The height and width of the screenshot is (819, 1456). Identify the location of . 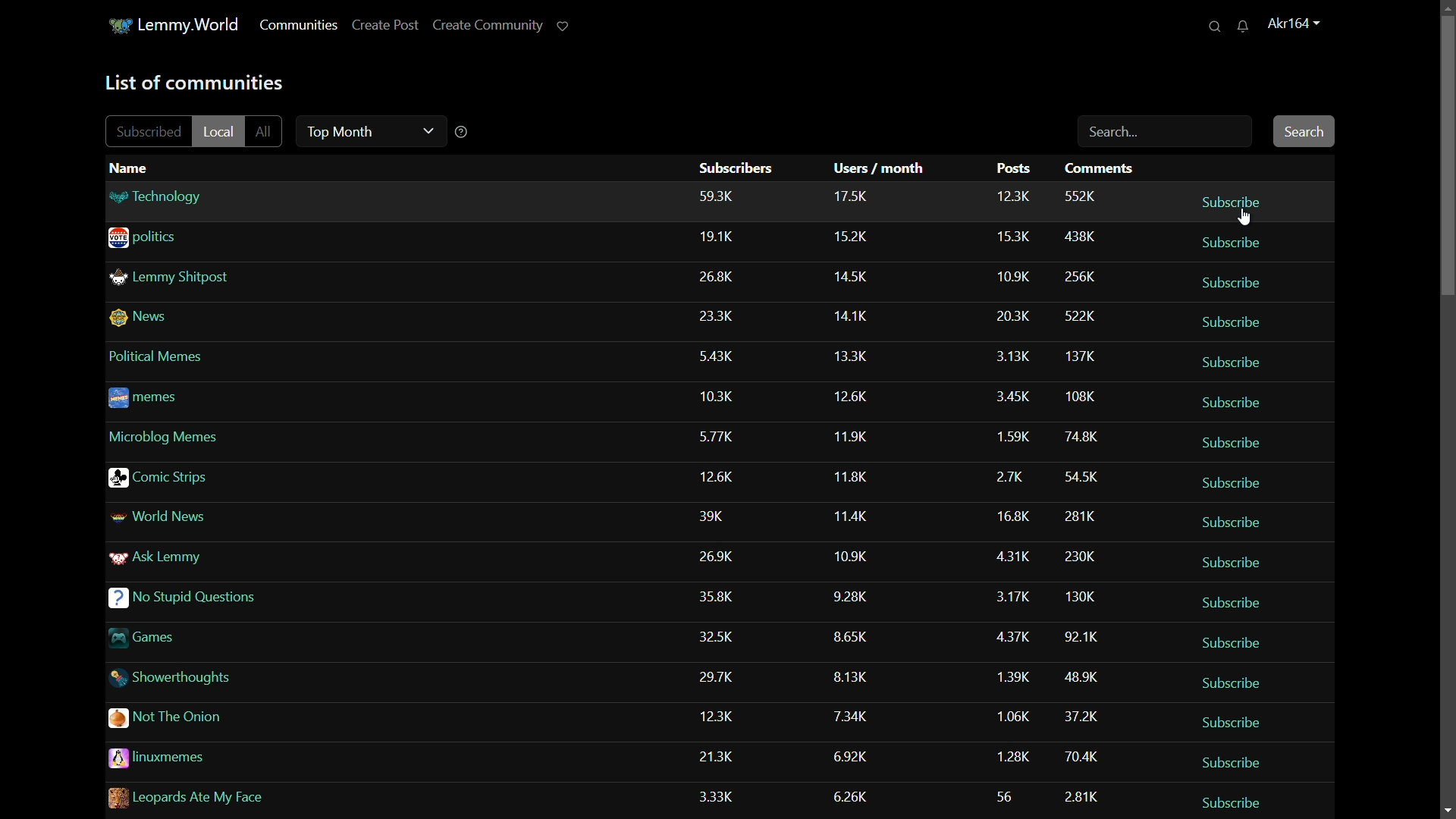
(852, 435).